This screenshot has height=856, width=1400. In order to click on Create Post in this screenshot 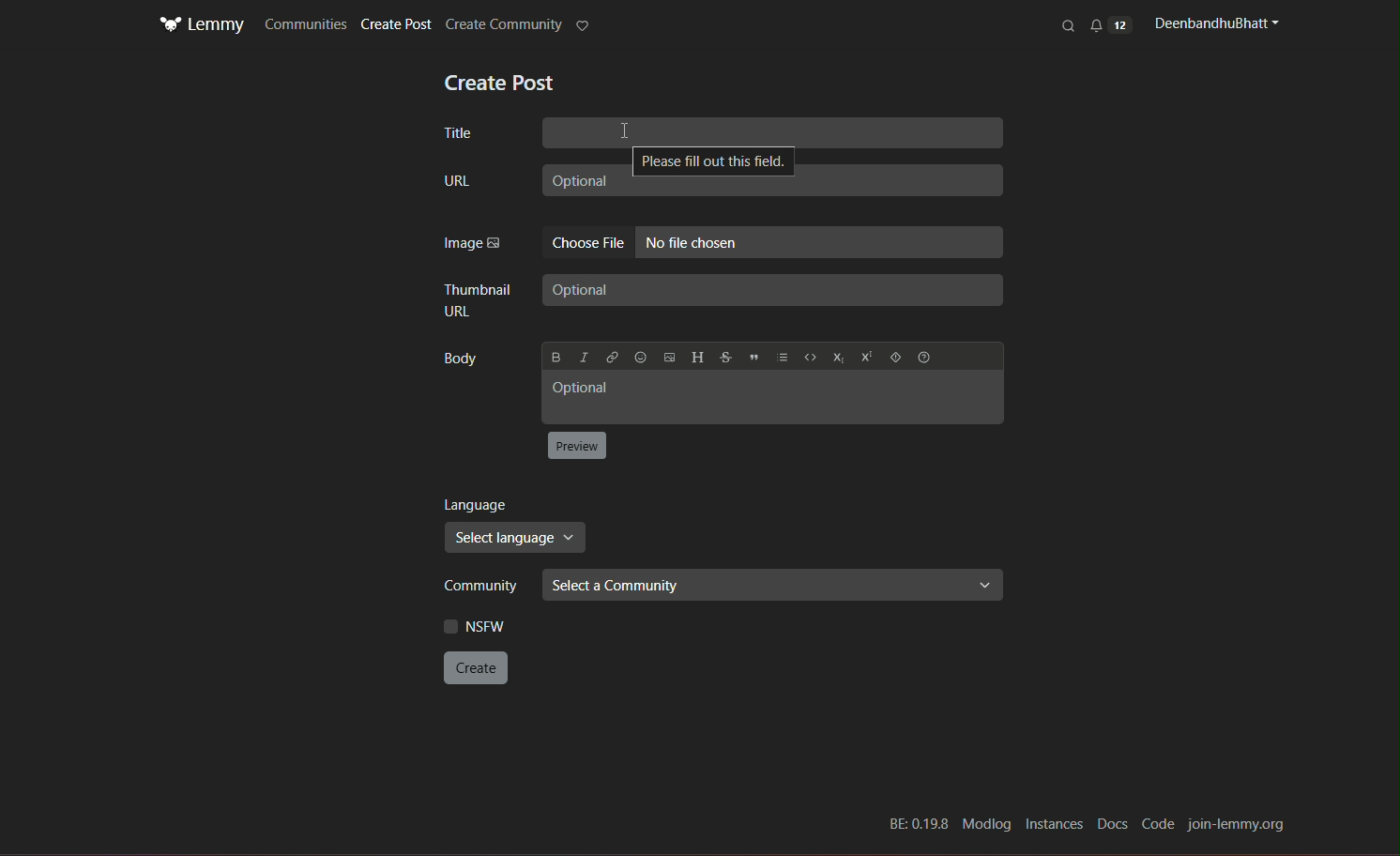, I will do `click(399, 25)`.